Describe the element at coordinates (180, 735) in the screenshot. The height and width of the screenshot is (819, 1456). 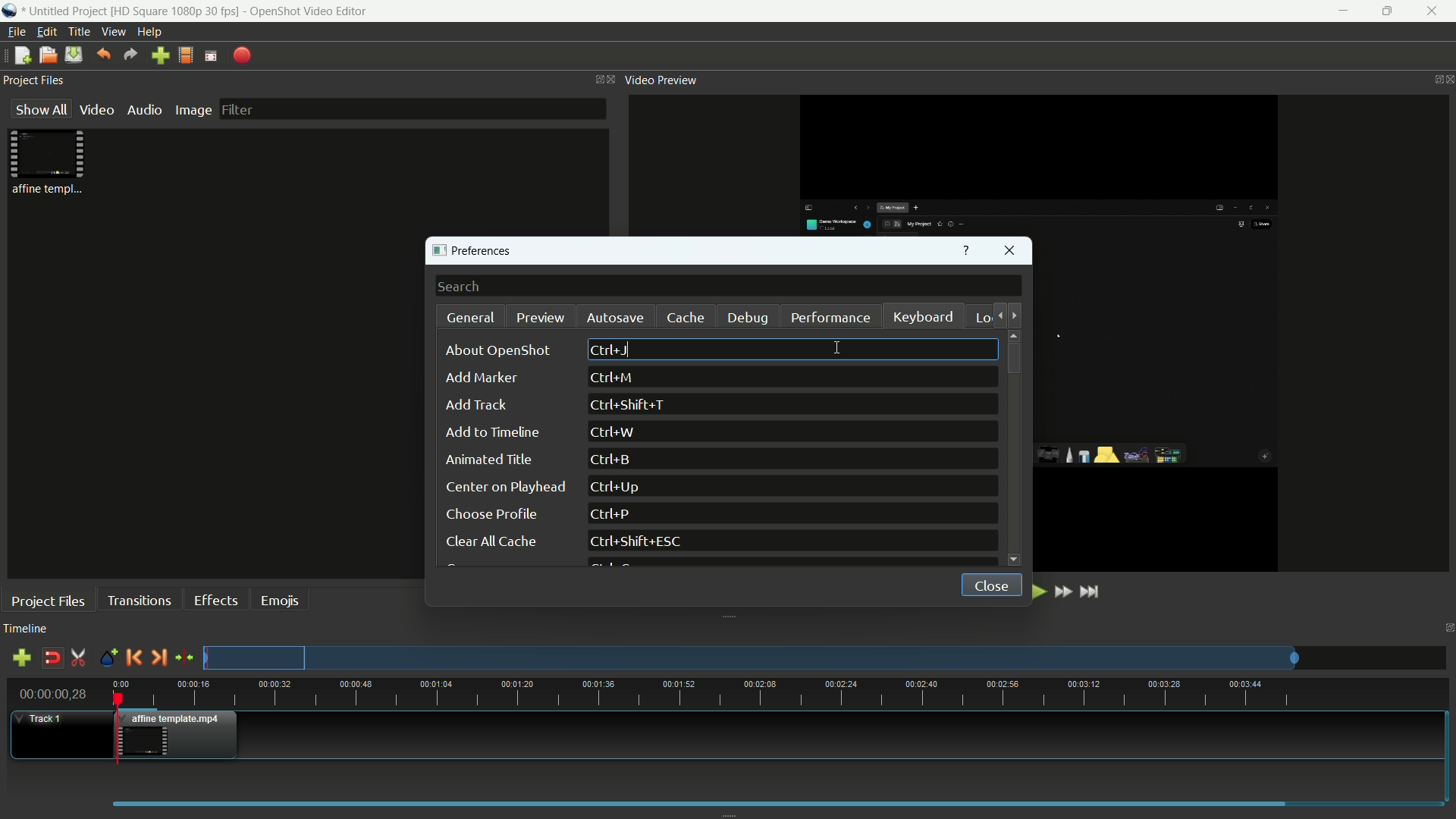
I see `video in timeline` at that location.